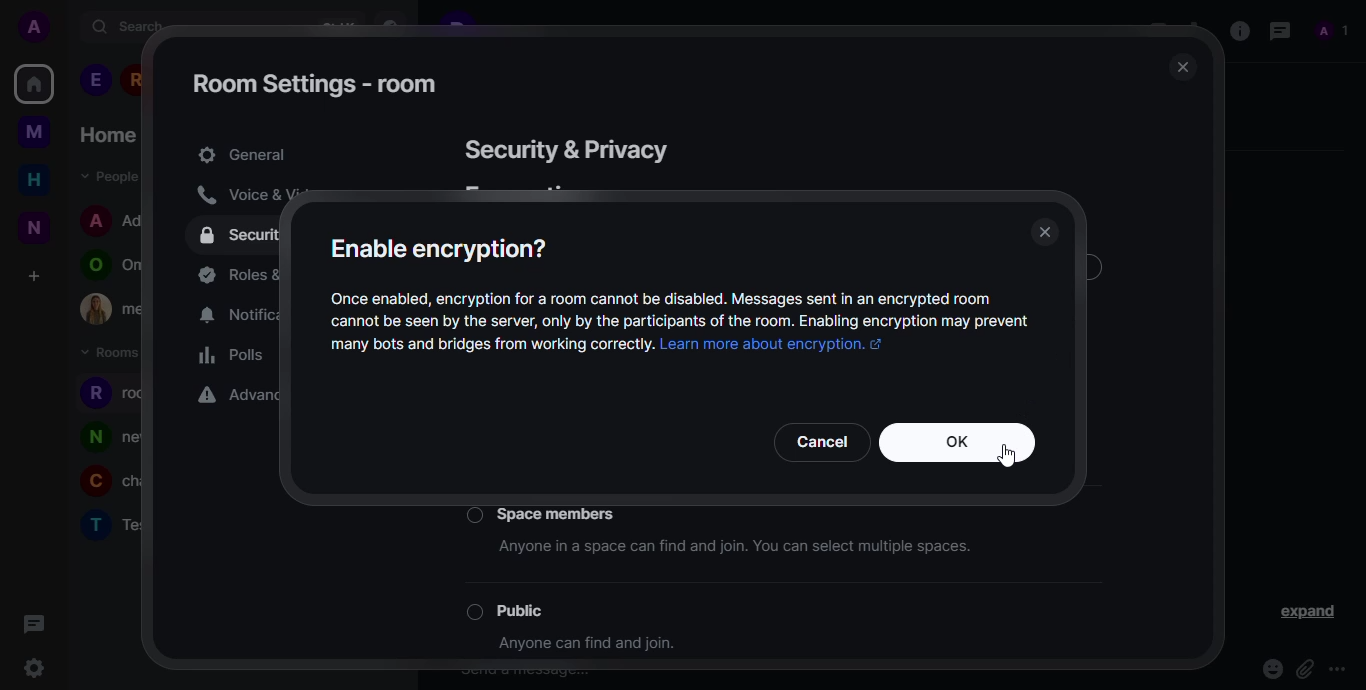  Describe the element at coordinates (1335, 32) in the screenshot. I see `people` at that location.